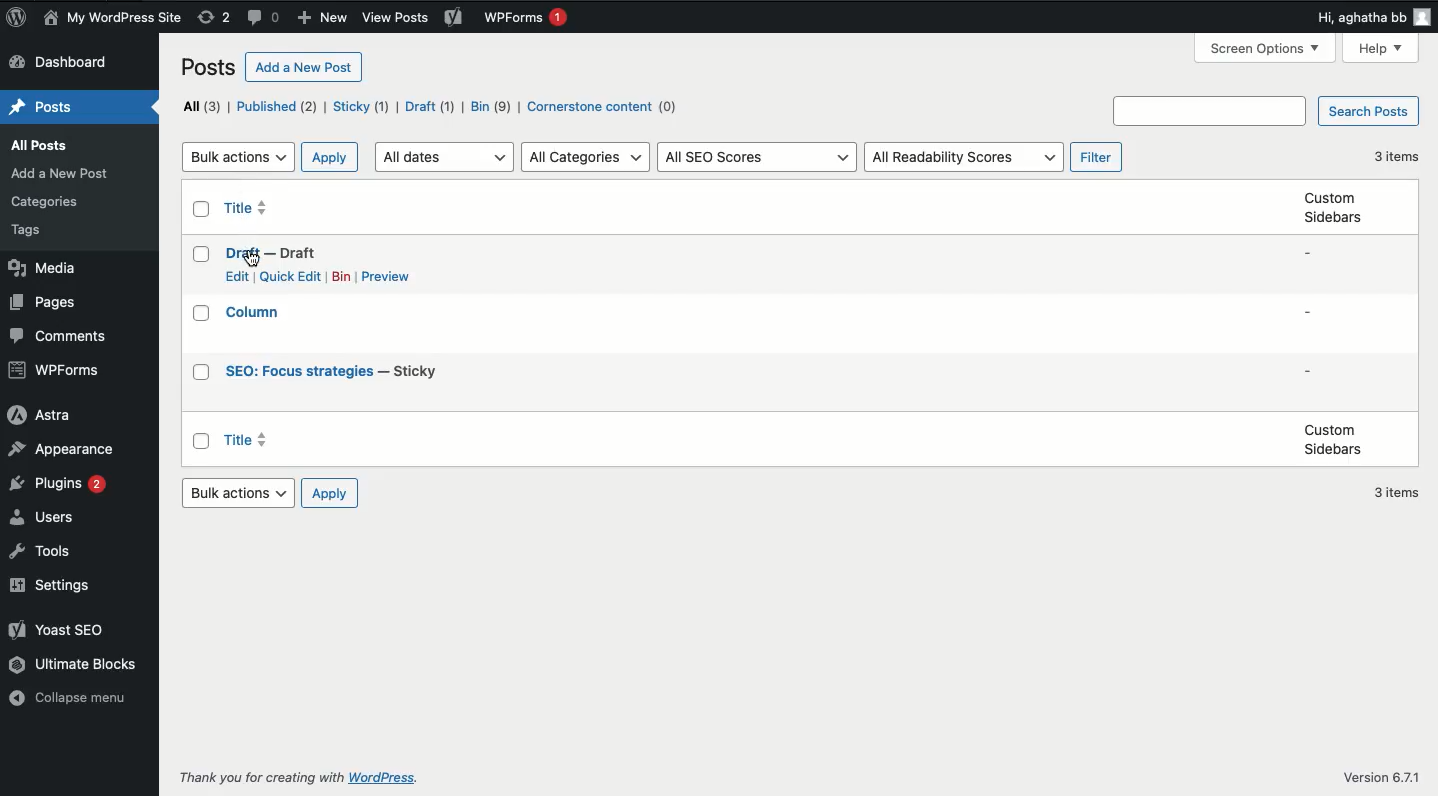 Image resolution: width=1438 pixels, height=796 pixels. What do you see at coordinates (203, 209) in the screenshot?
I see `Checkbox` at bounding box center [203, 209].